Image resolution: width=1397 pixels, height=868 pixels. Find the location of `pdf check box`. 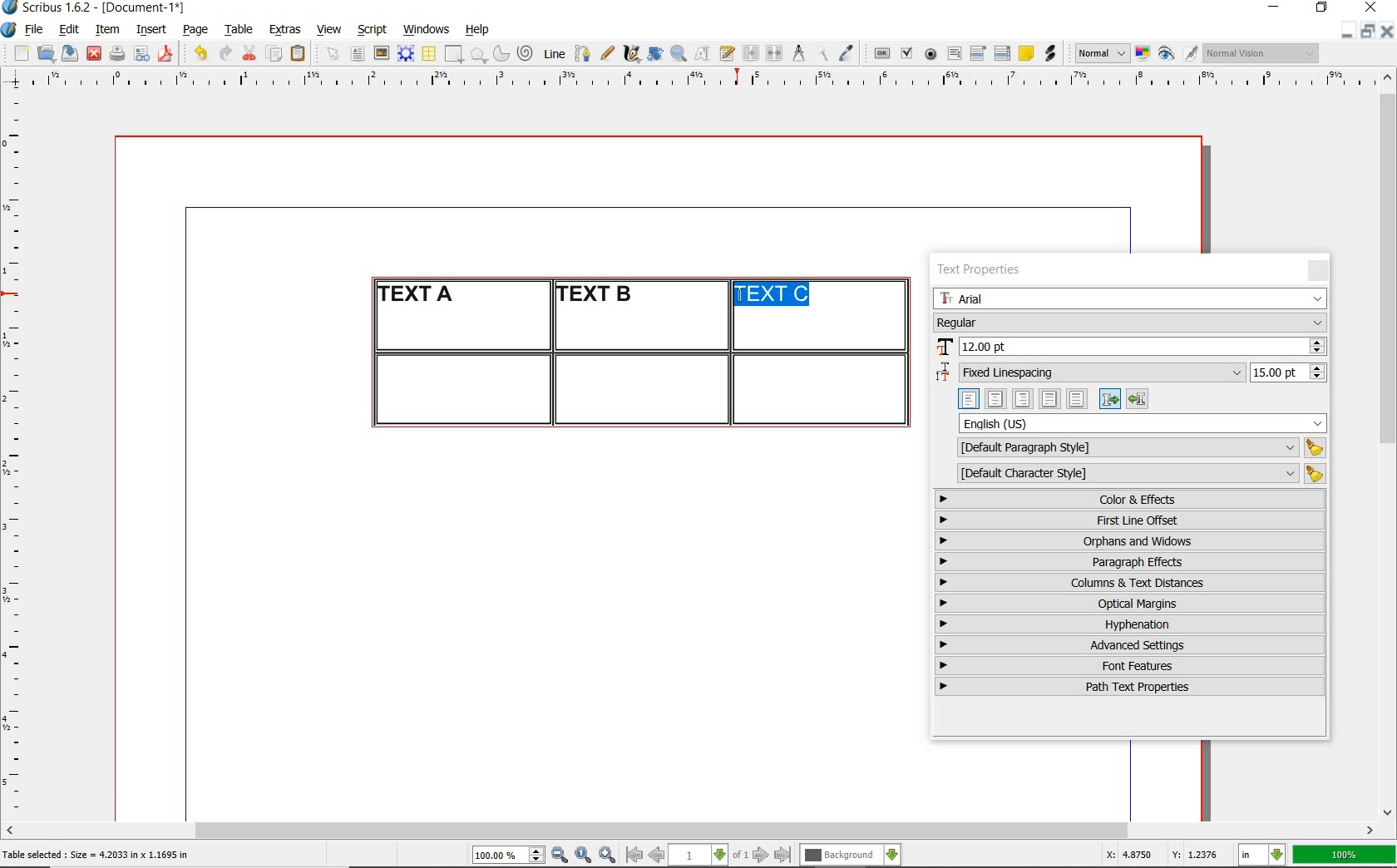

pdf check box is located at coordinates (906, 54).